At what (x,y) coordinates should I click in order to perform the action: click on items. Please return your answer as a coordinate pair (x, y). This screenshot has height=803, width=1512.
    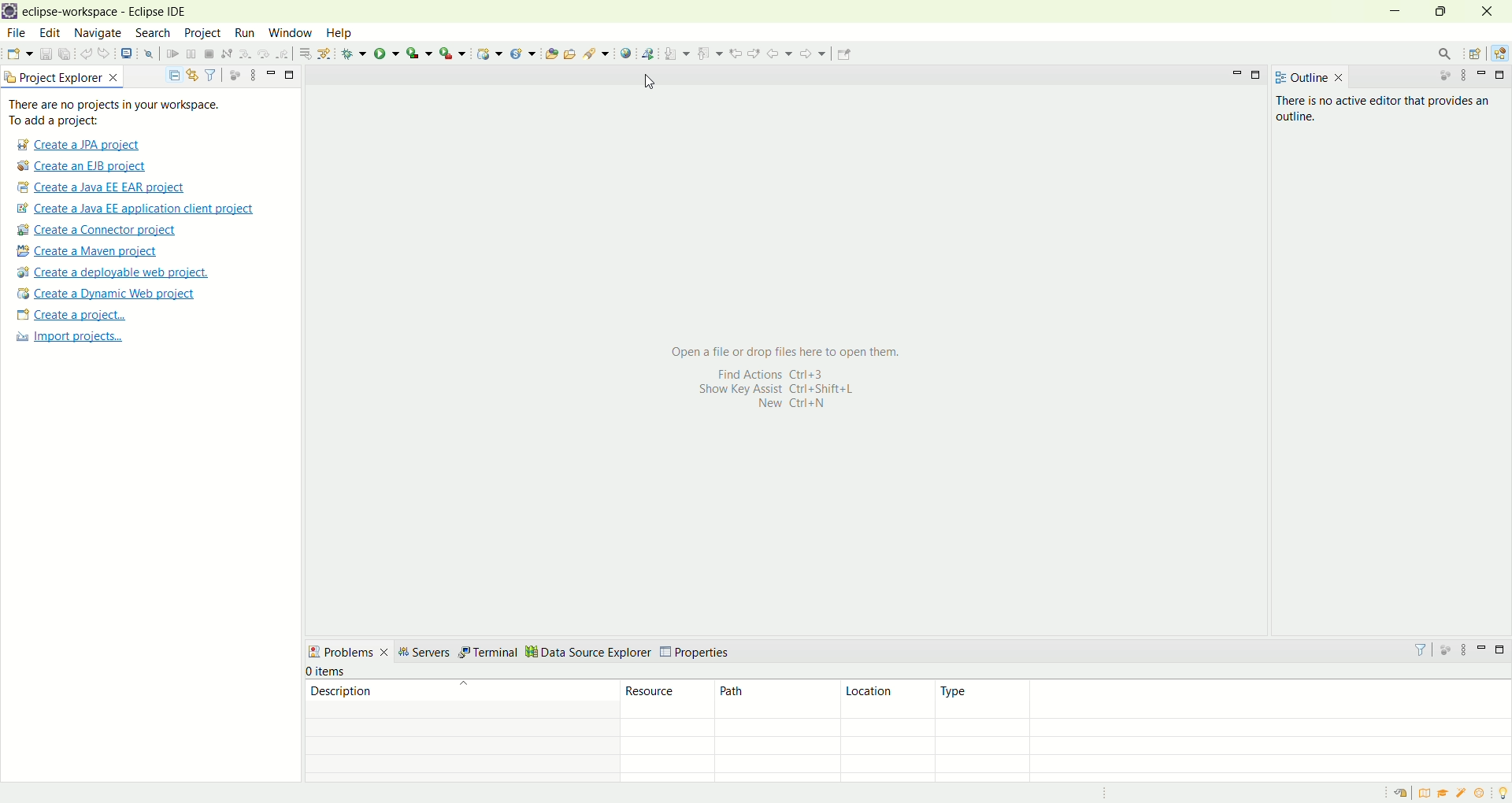
    Looking at the image, I should click on (330, 672).